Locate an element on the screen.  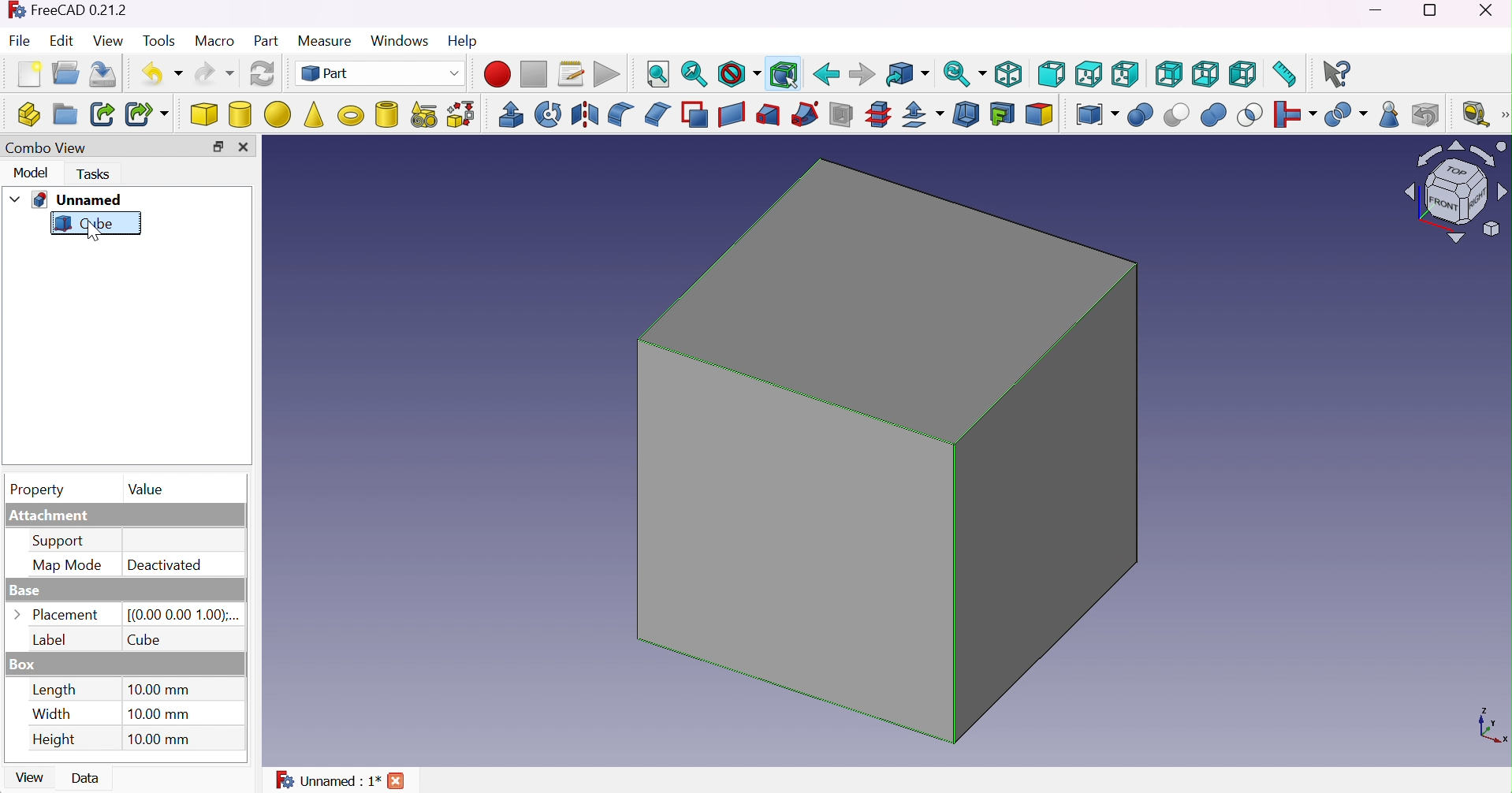
Measure distance is located at coordinates (1284, 76).